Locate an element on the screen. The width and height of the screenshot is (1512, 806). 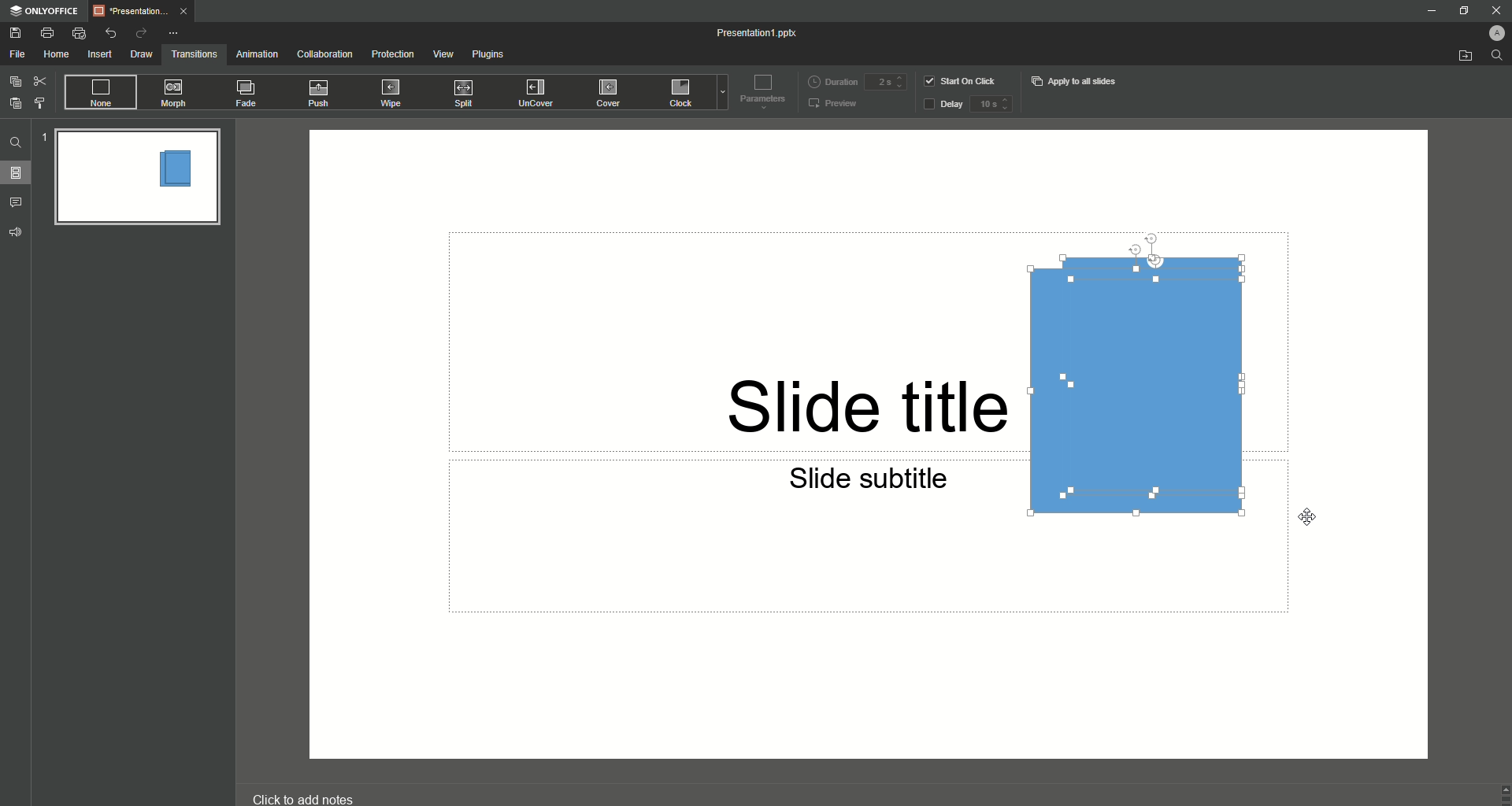
Undo is located at coordinates (112, 32).